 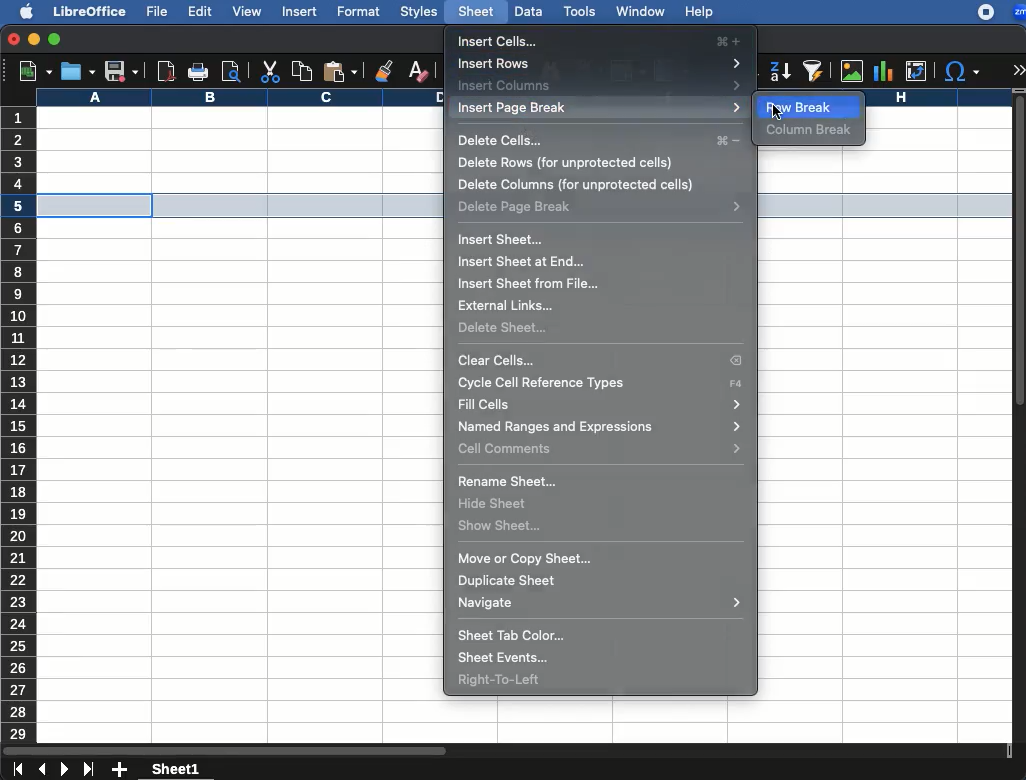 I want to click on add, so click(x=120, y=771).